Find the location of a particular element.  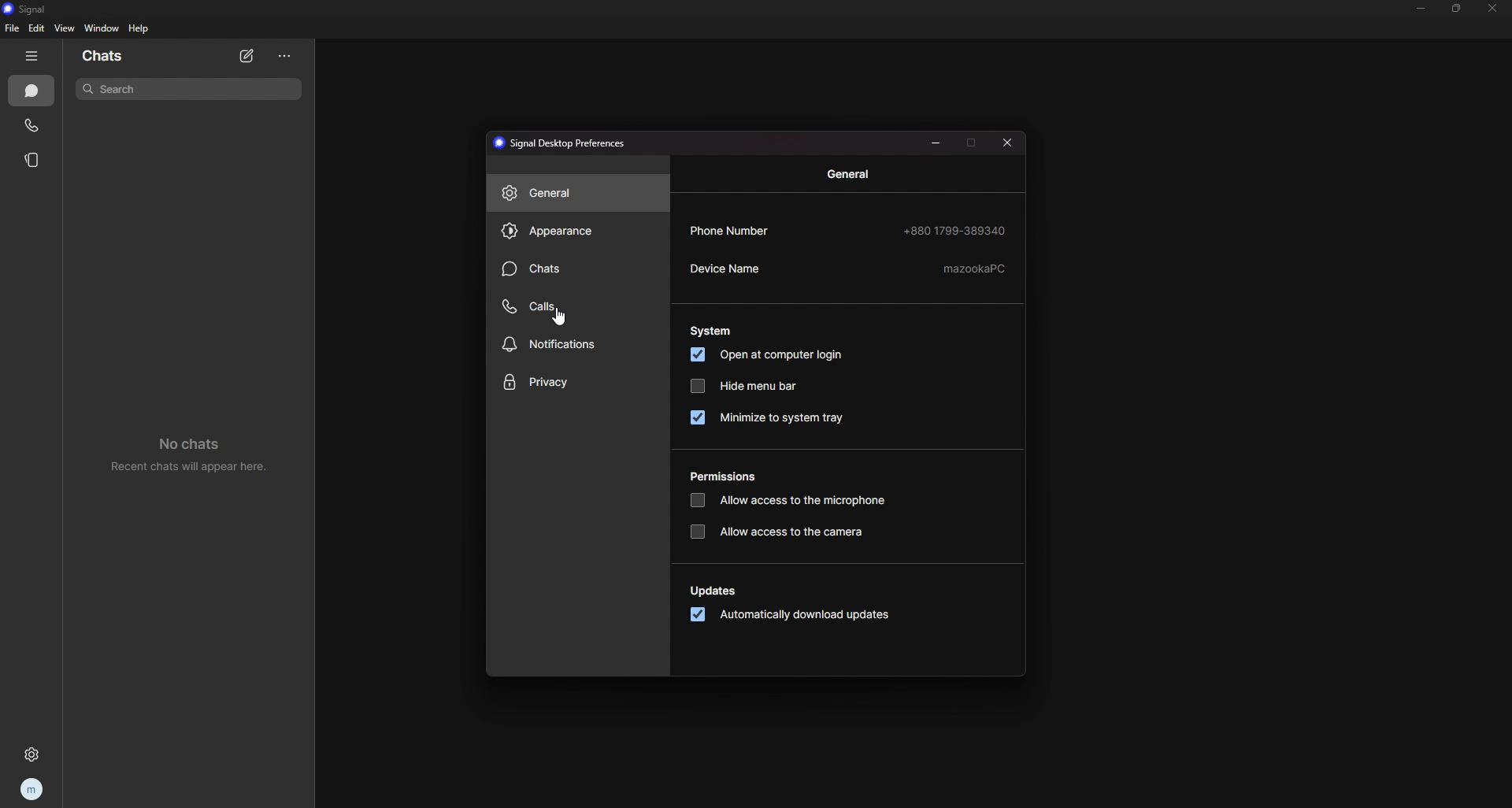

view is located at coordinates (65, 28).